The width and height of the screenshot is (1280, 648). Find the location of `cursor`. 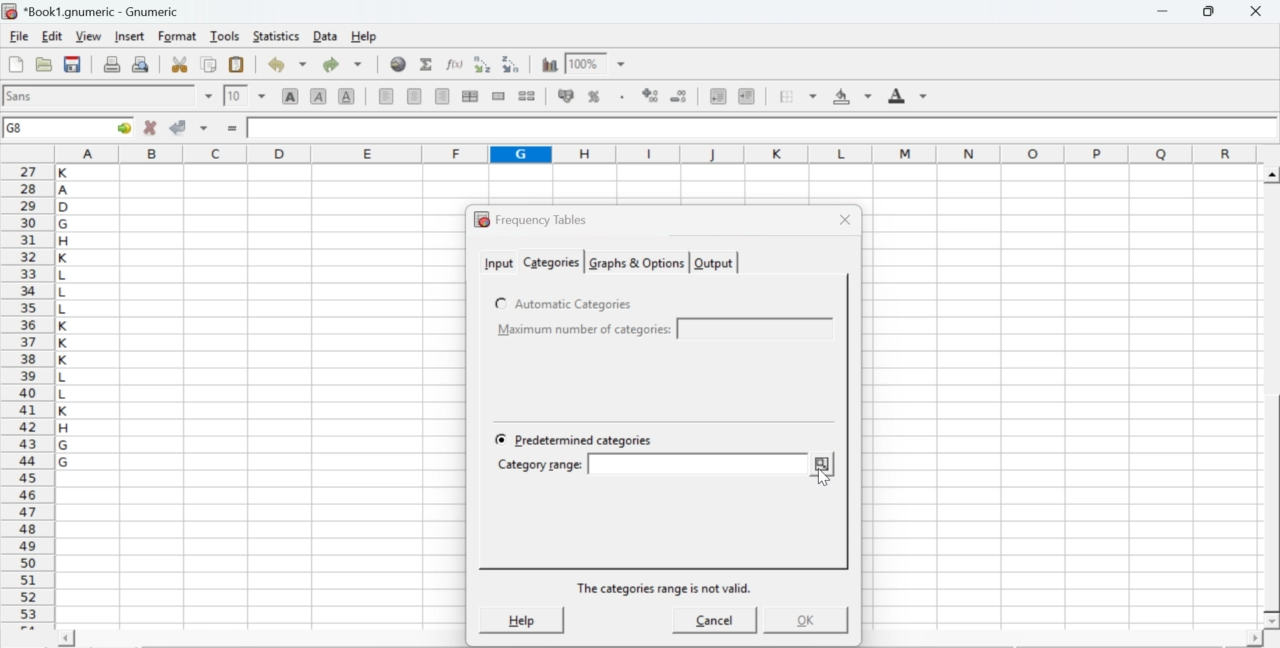

cursor is located at coordinates (826, 479).